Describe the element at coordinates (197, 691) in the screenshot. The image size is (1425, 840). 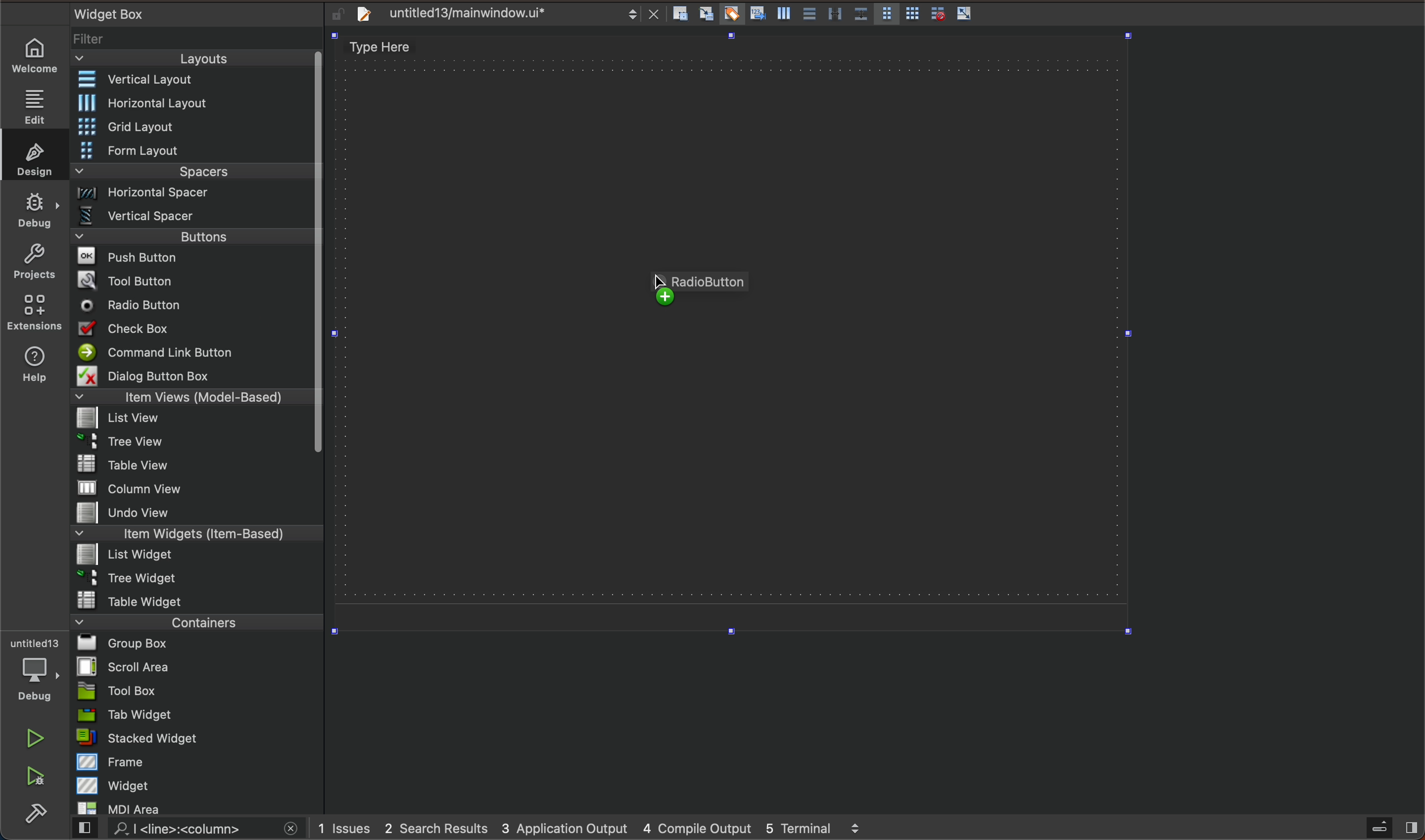
I see `tool box` at that location.